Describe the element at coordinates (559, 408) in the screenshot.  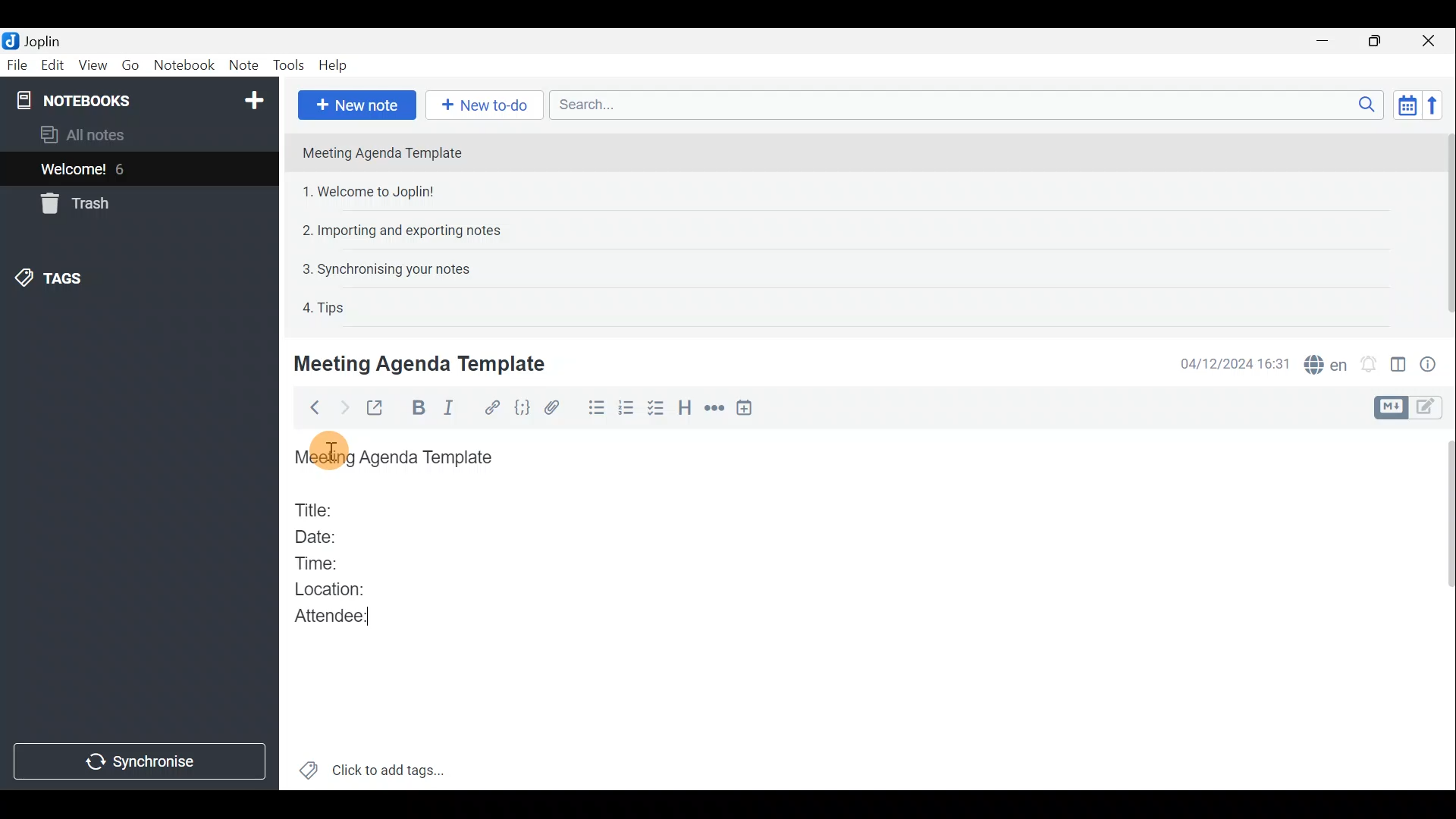
I see `Attach file` at that location.